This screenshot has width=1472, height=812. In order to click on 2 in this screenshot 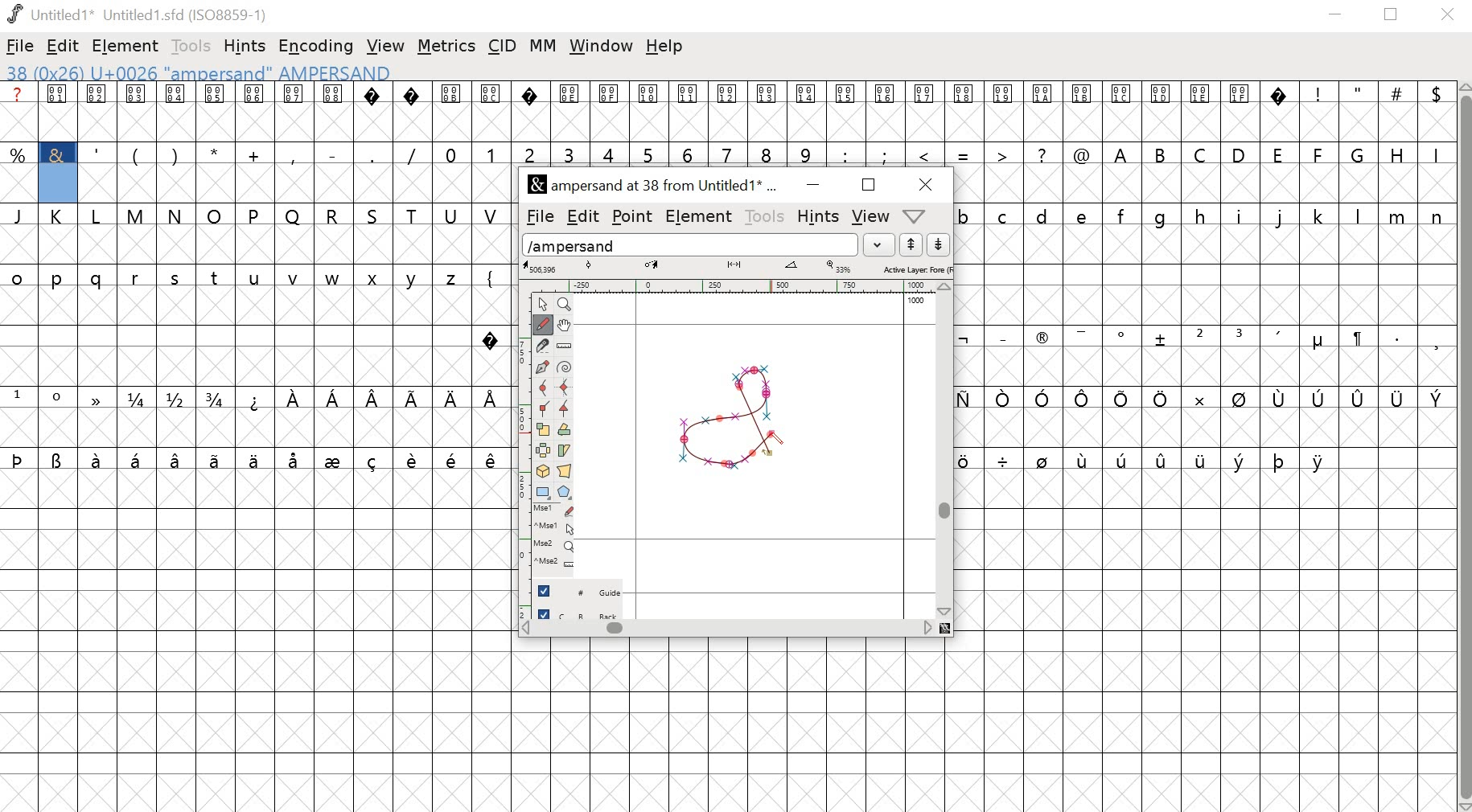, I will do `click(1199, 336)`.